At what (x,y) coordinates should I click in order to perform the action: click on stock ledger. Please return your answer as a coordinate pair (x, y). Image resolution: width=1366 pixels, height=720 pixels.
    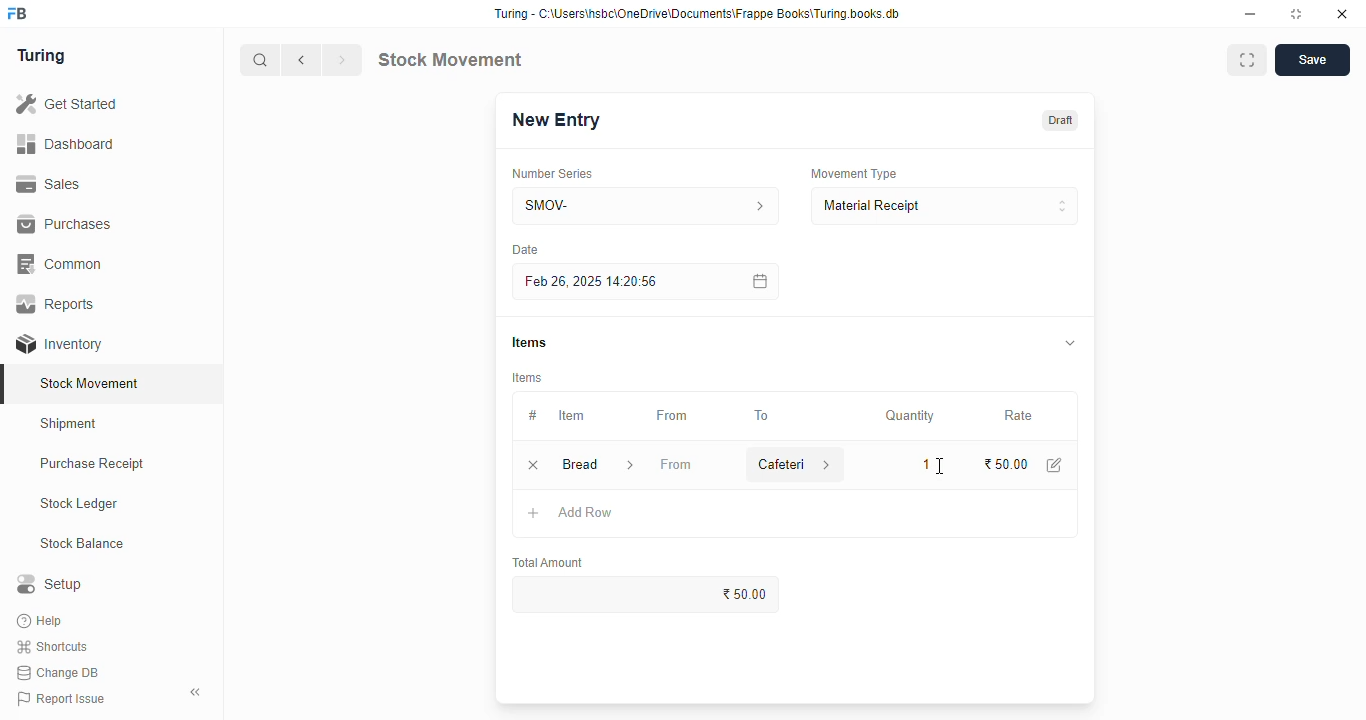
    Looking at the image, I should click on (80, 504).